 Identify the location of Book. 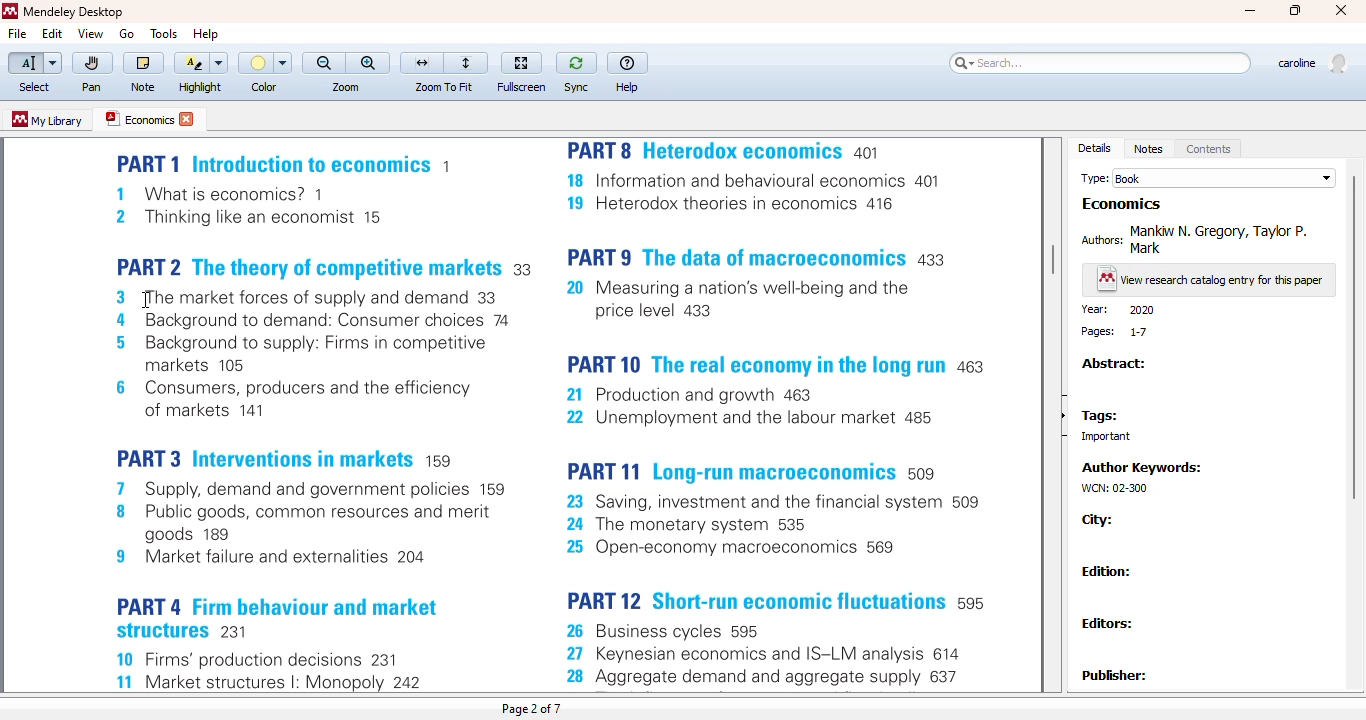
(1227, 175).